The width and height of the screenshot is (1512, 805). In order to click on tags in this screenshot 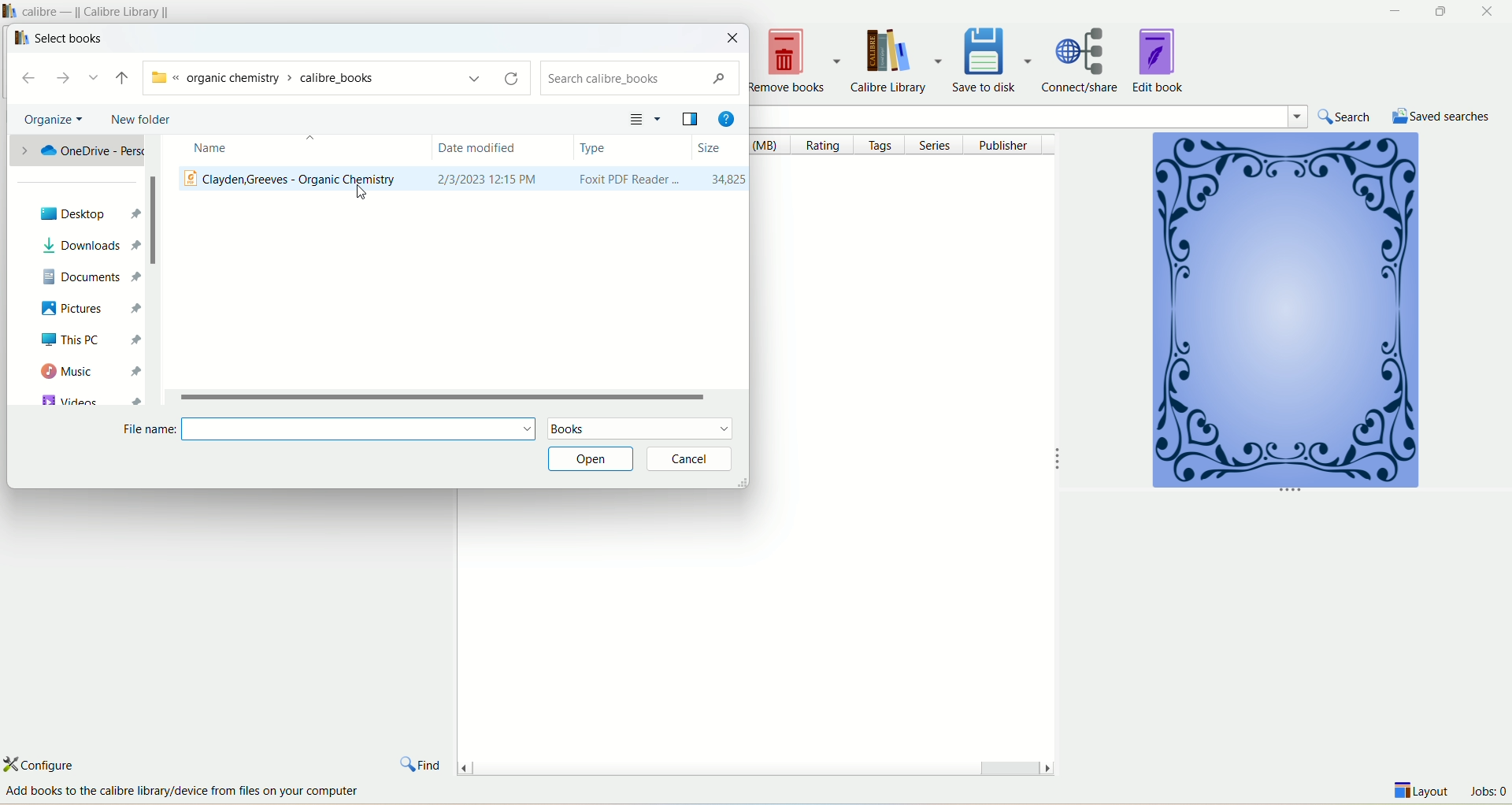, I will do `click(883, 146)`.